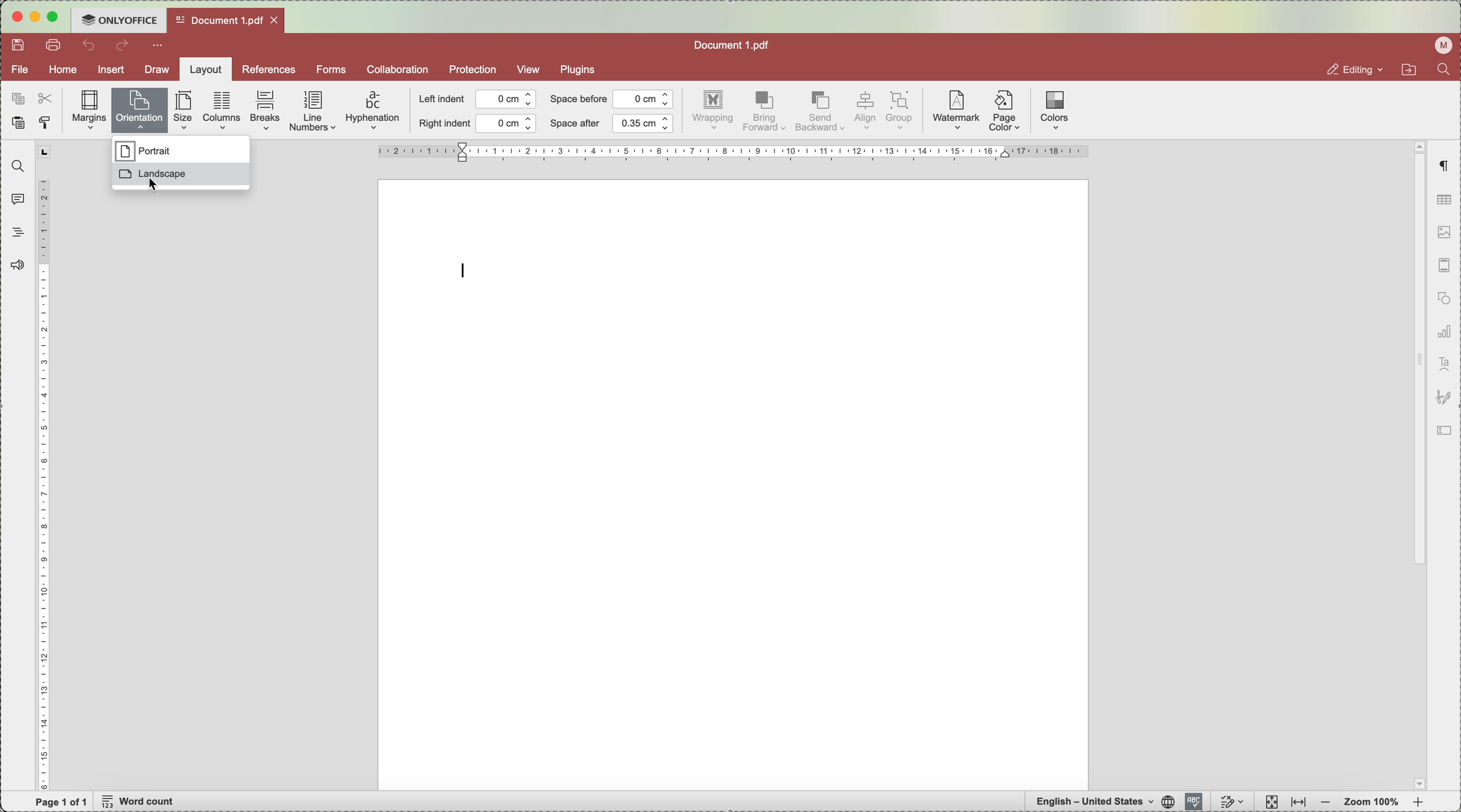 Image resolution: width=1461 pixels, height=812 pixels. What do you see at coordinates (331, 69) in the screenshot?
I see `forms` at bounding box center [331, 69].